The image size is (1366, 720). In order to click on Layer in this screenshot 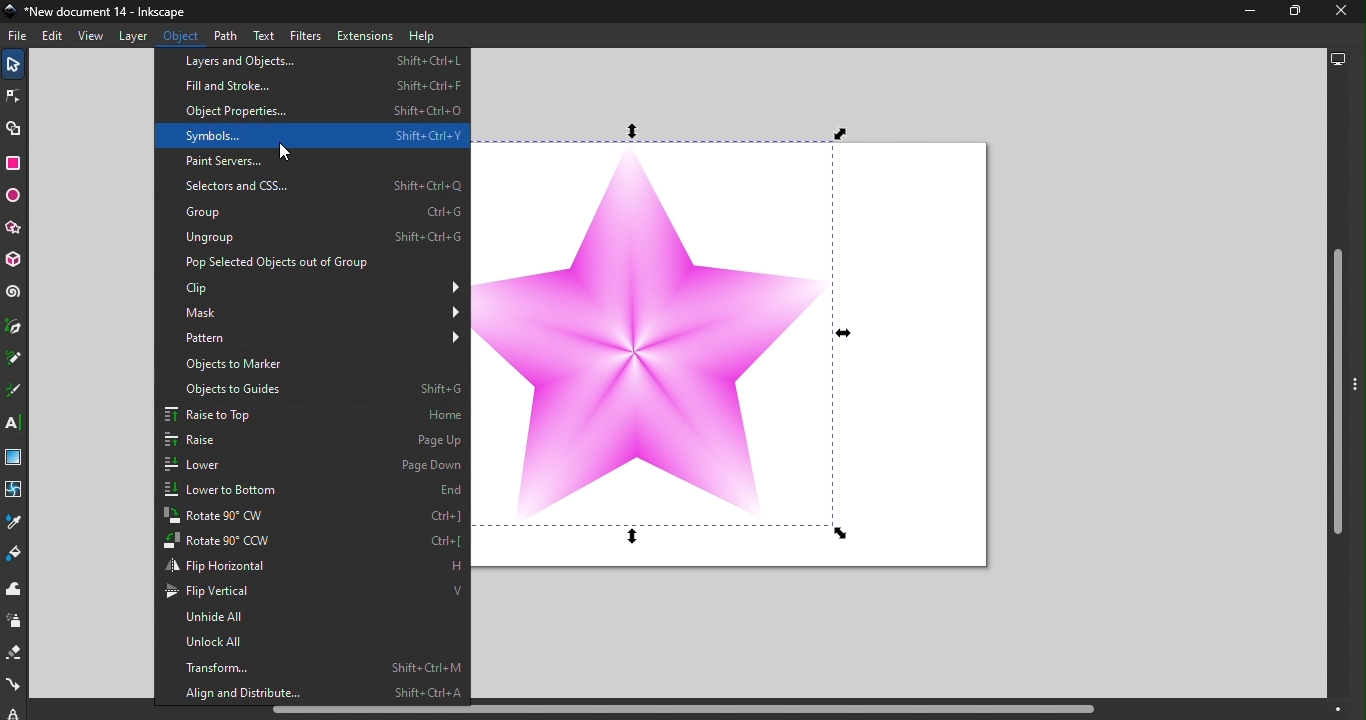, I will do `click(134, 35)`.